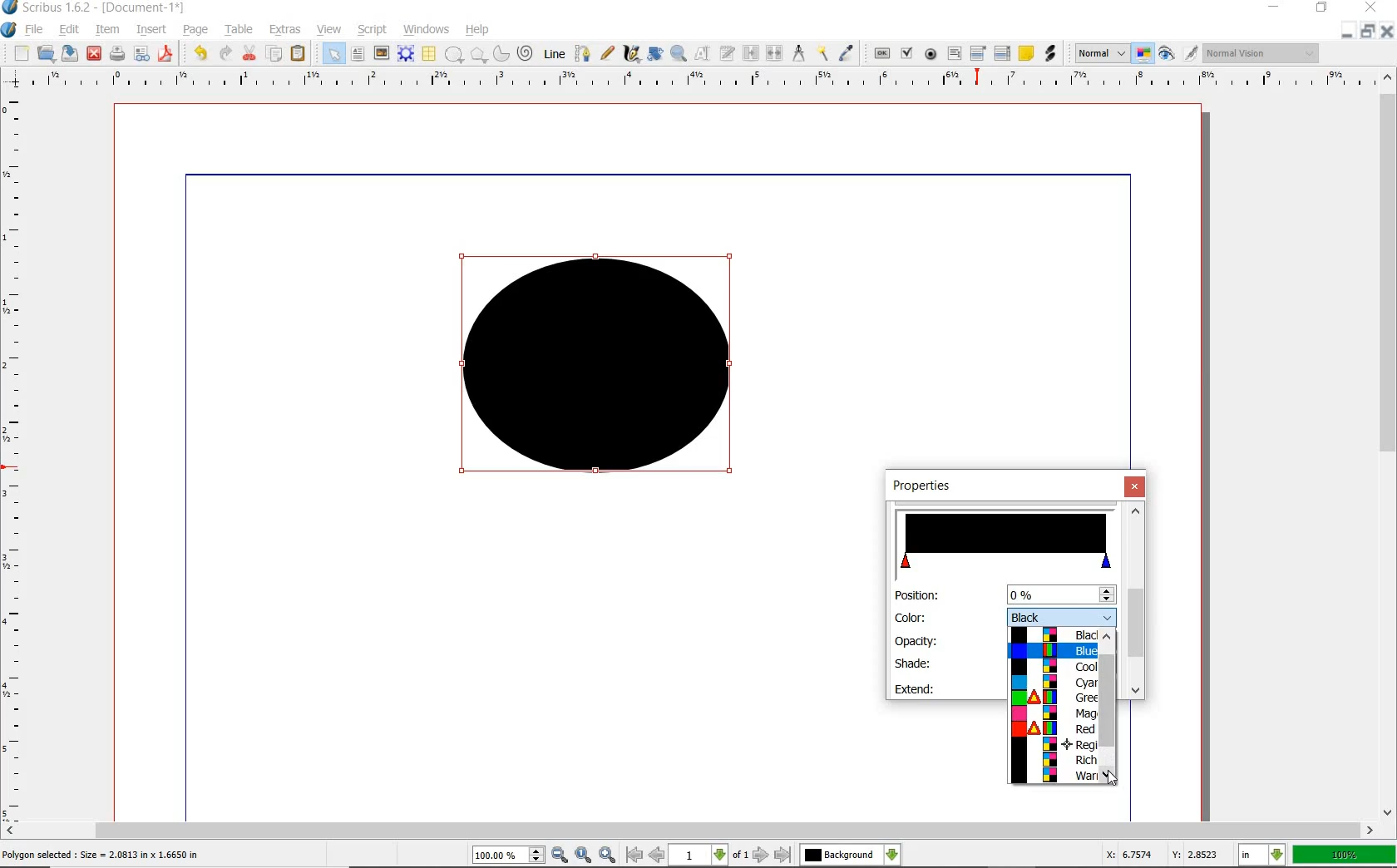 This screenshot has width=1397, height=868. What do you see at coordinates (751, 52) in the screenshot?
I see `LINK TEXT FRAME` at bounding box center [751, 52].